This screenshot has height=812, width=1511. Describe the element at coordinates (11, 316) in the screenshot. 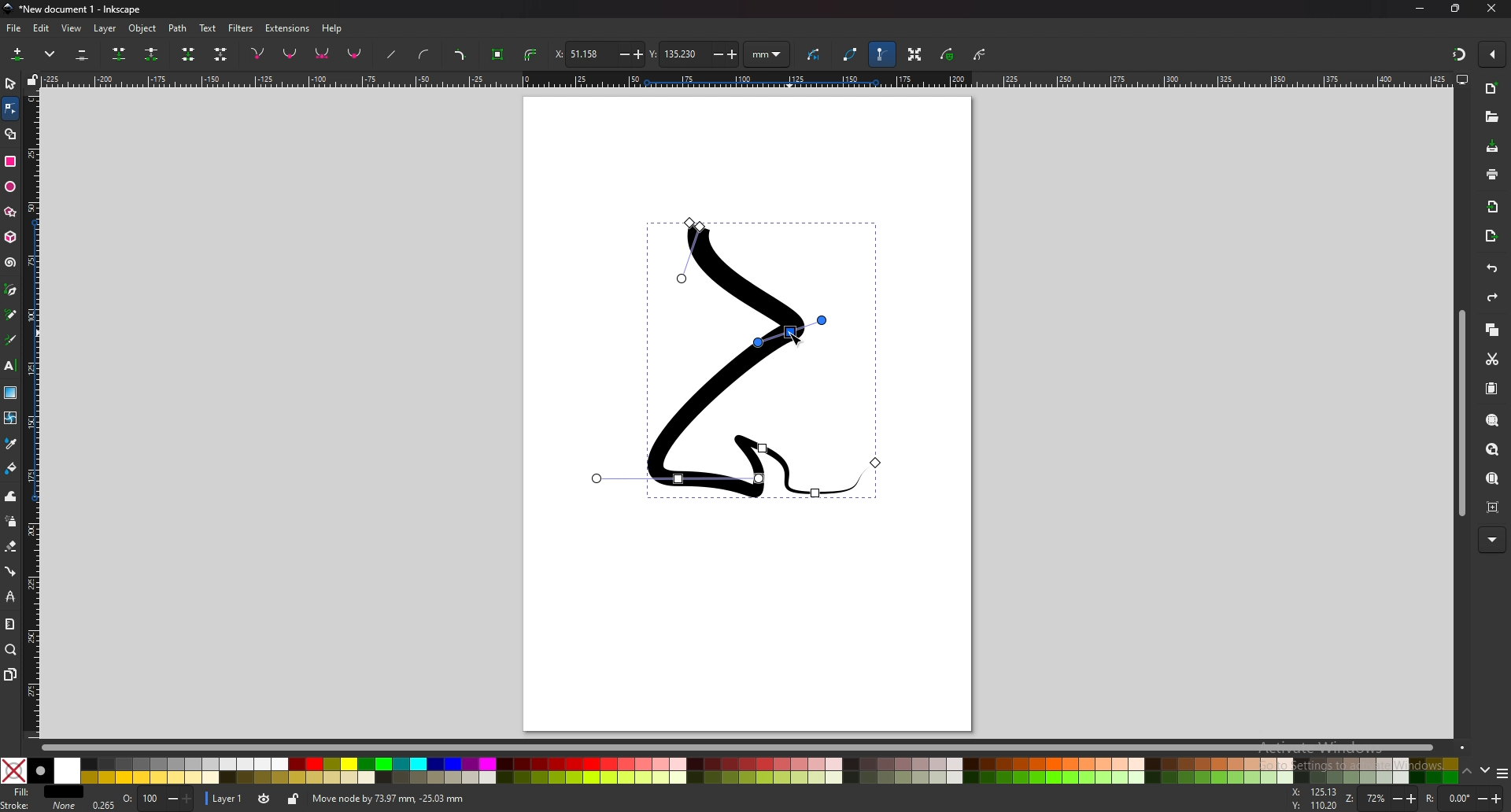

I see `pencil` at that location.